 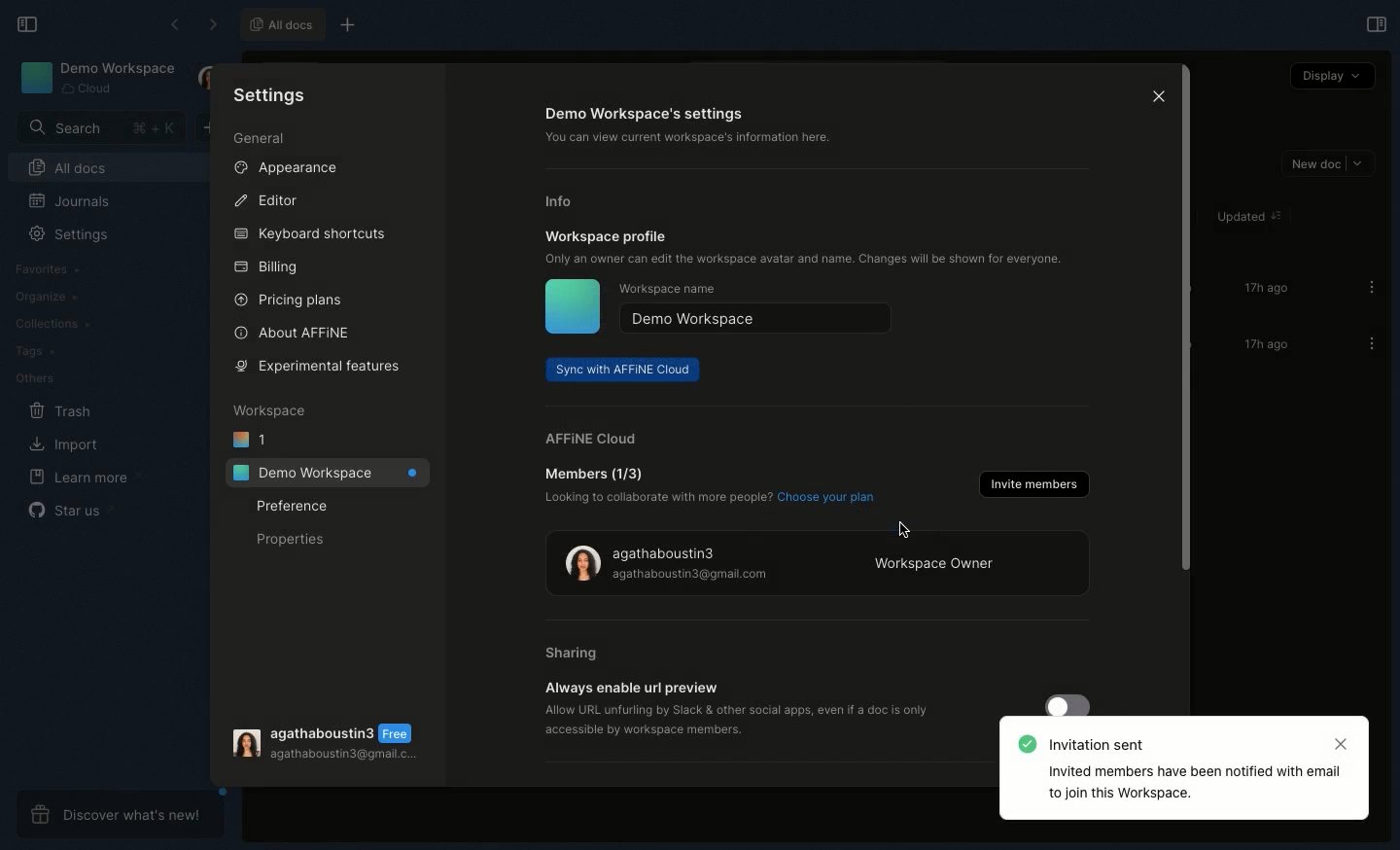 What do you see at coordinates (326, 741) in the screenshot?
I see `User` at bounding box center [326, 741].